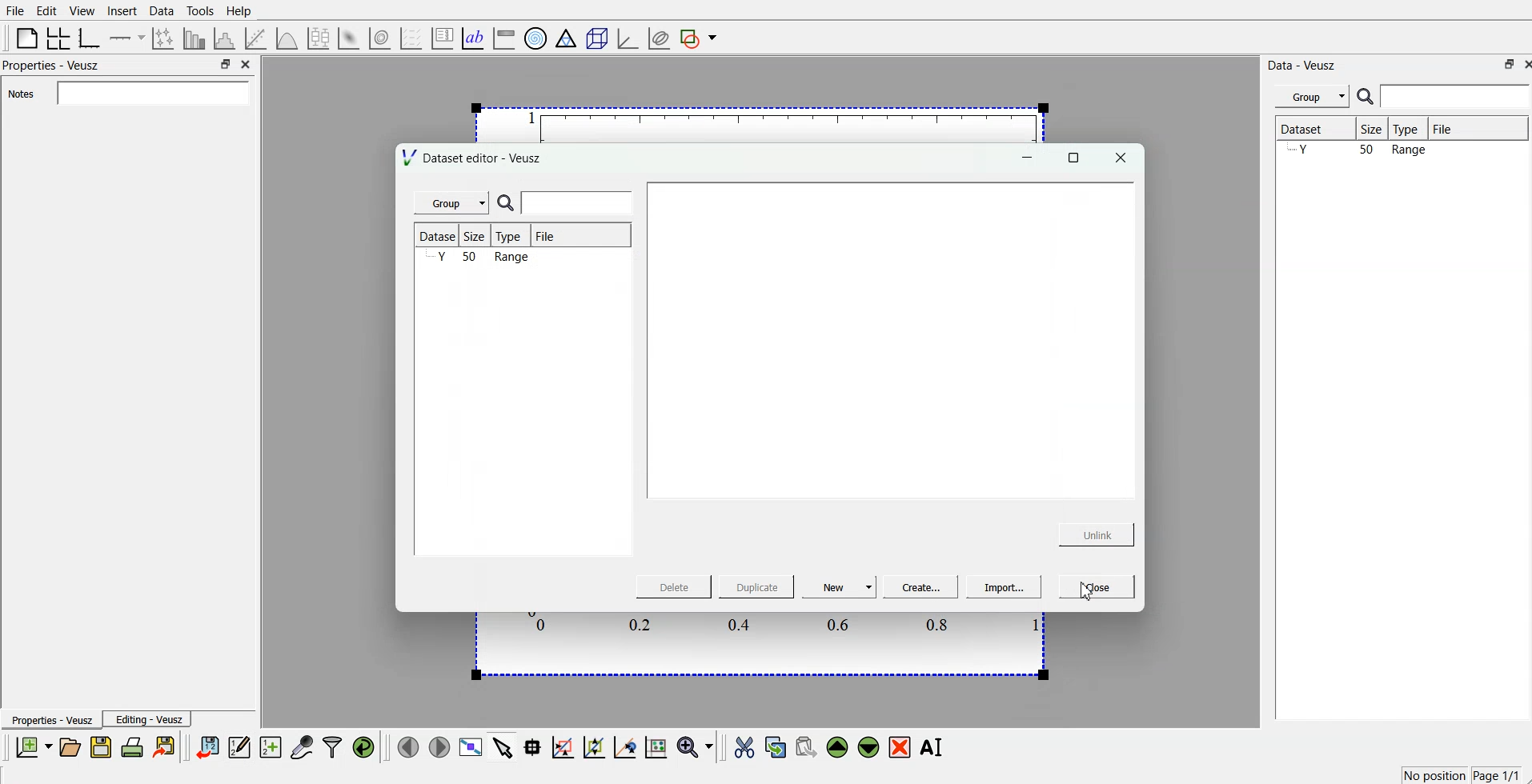 This screenshot has height=784, width=1532. What do you see at coordinates (503, 257) in the screenshot?
I see `Y 50 Range` at bounding box center [503, 257].